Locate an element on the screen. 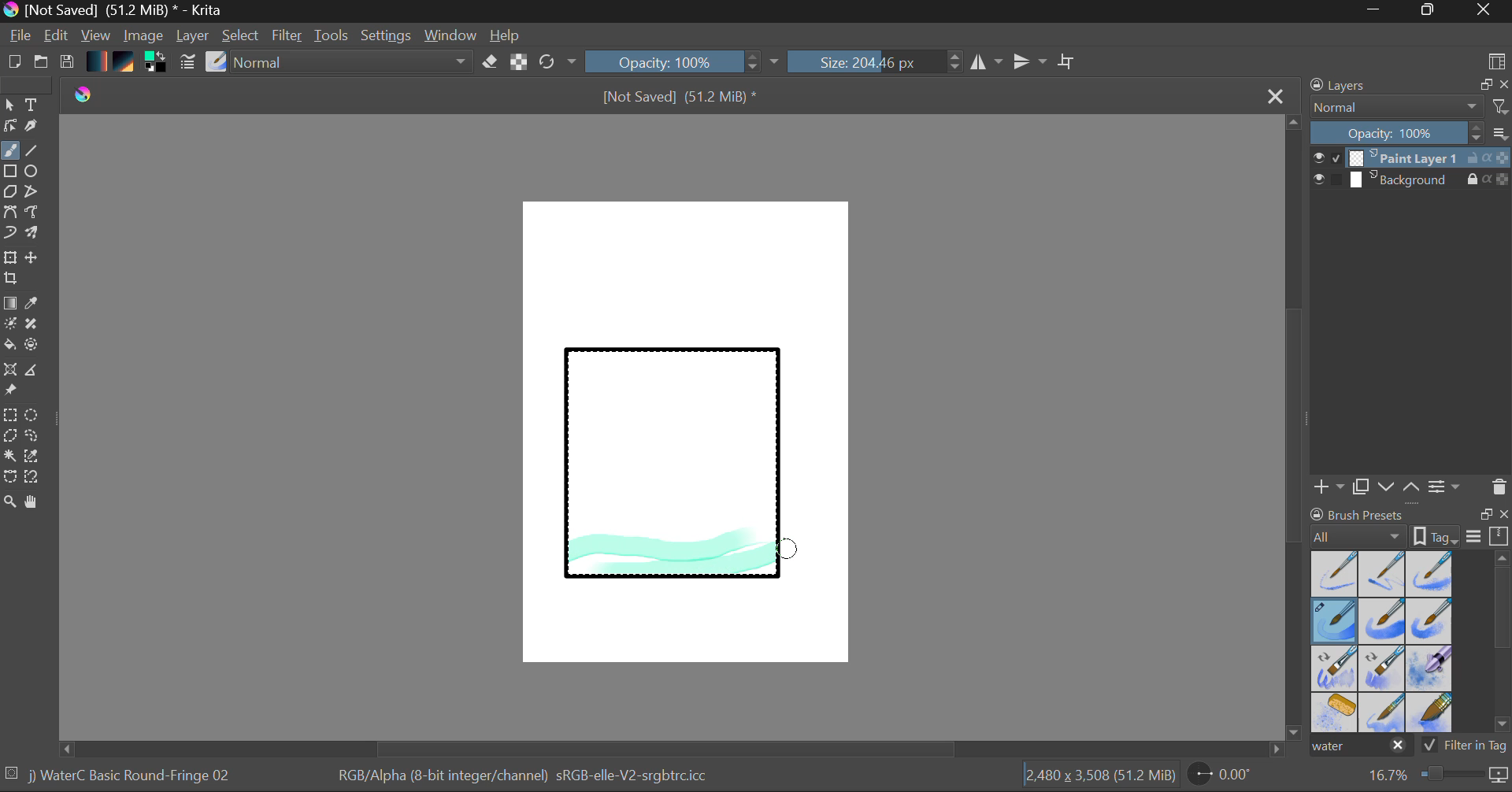  Blending Tool is located at coordinates (354, 63).